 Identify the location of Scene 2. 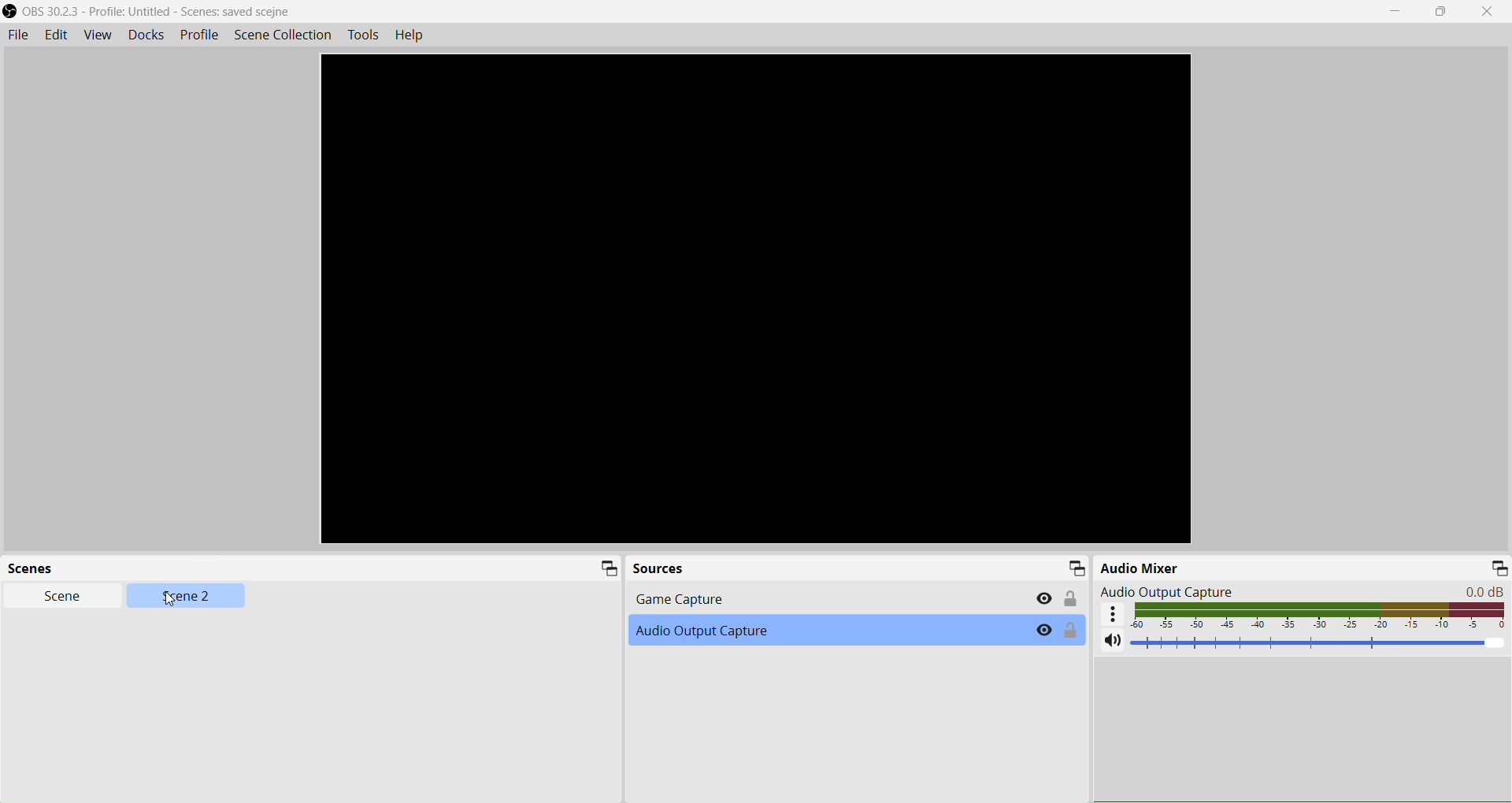
(187, 595).